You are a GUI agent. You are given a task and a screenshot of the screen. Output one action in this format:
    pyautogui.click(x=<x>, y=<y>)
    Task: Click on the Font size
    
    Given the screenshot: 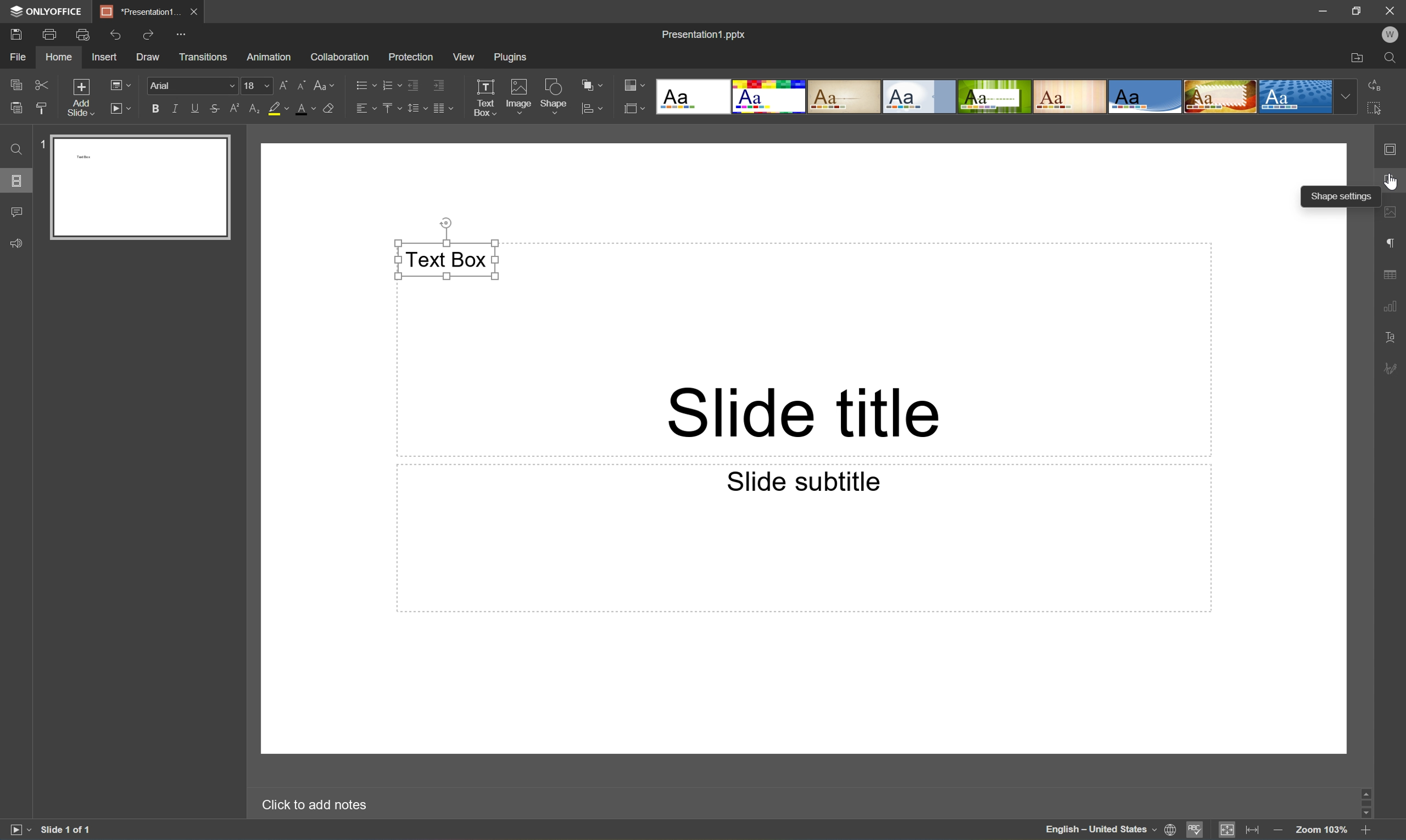 What is the action you would take?
    pyautogui.click(x=257, y=84)
    